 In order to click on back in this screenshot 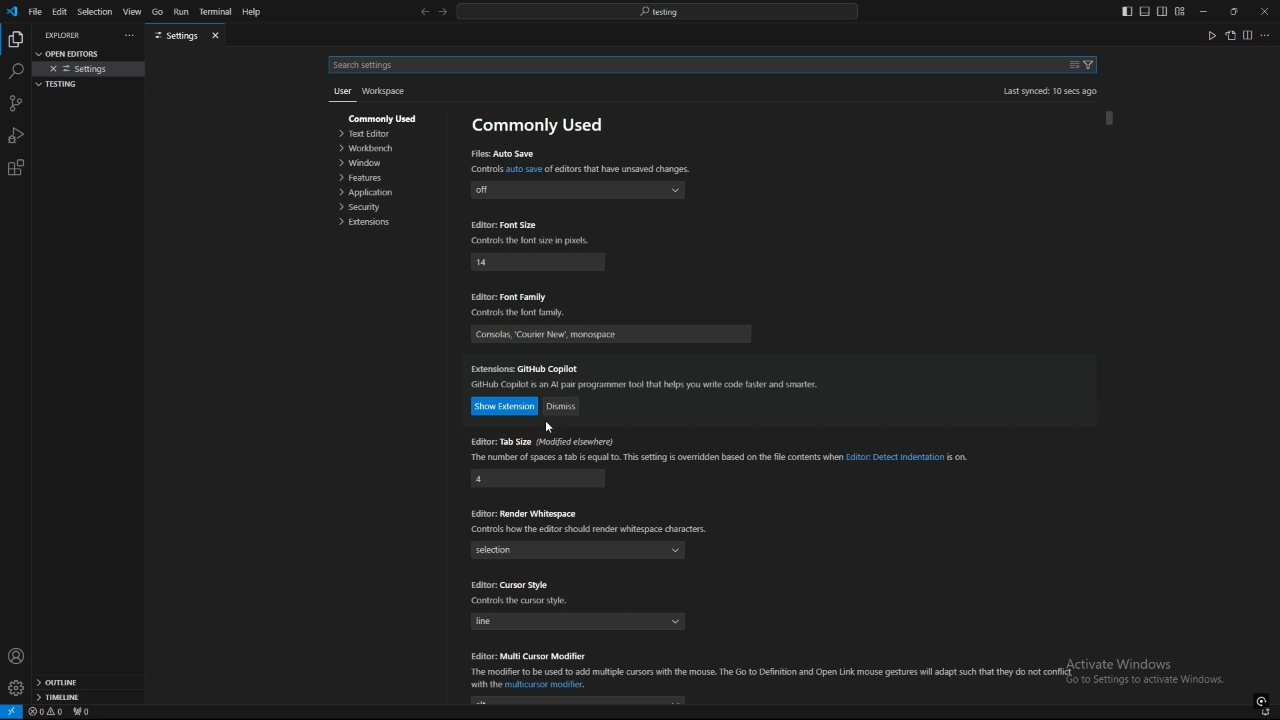, I will do `click(424, 12)`.